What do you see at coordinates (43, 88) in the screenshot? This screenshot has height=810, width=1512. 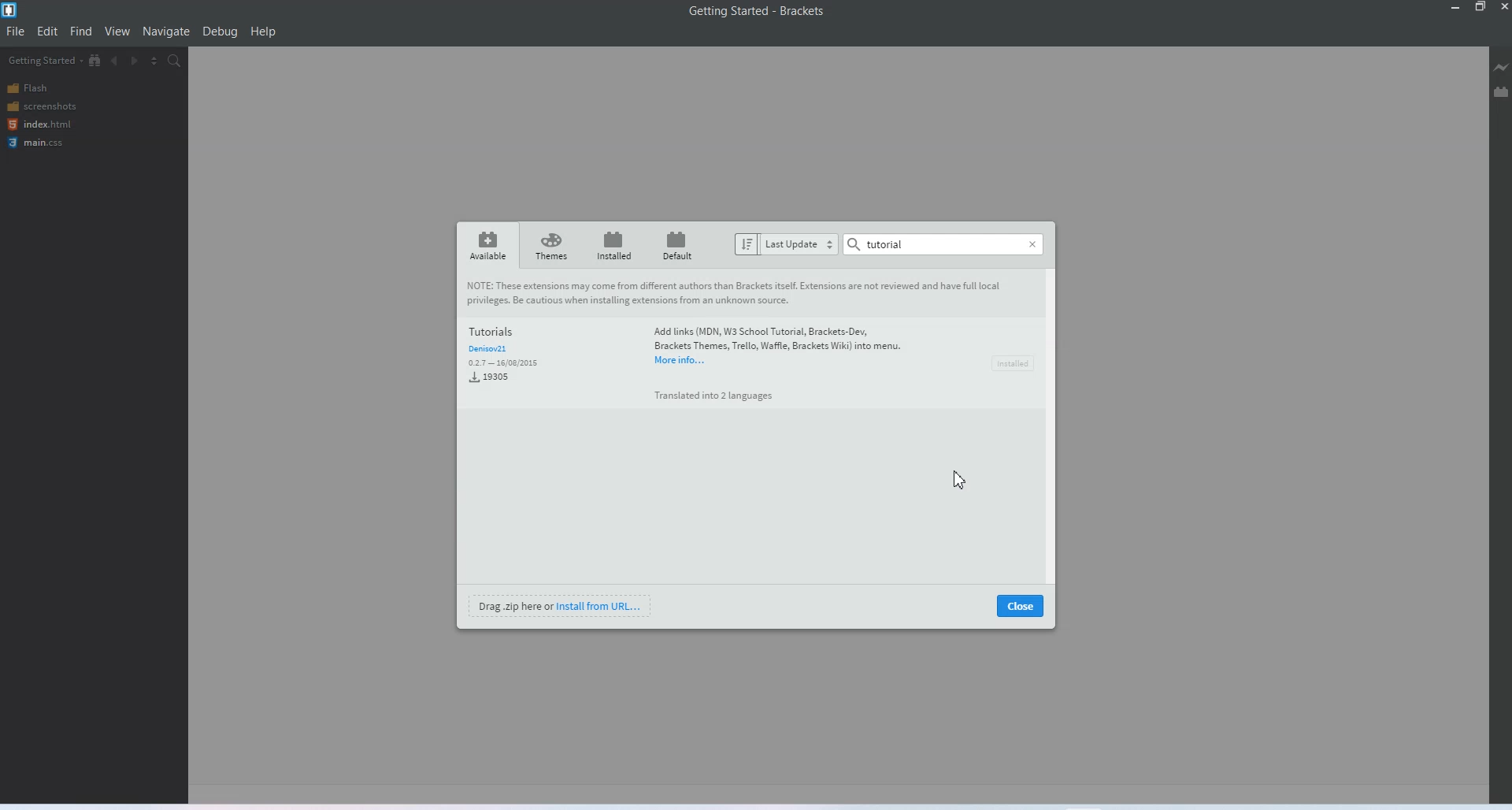 I see `Flash` at bounding box center [43, 88].